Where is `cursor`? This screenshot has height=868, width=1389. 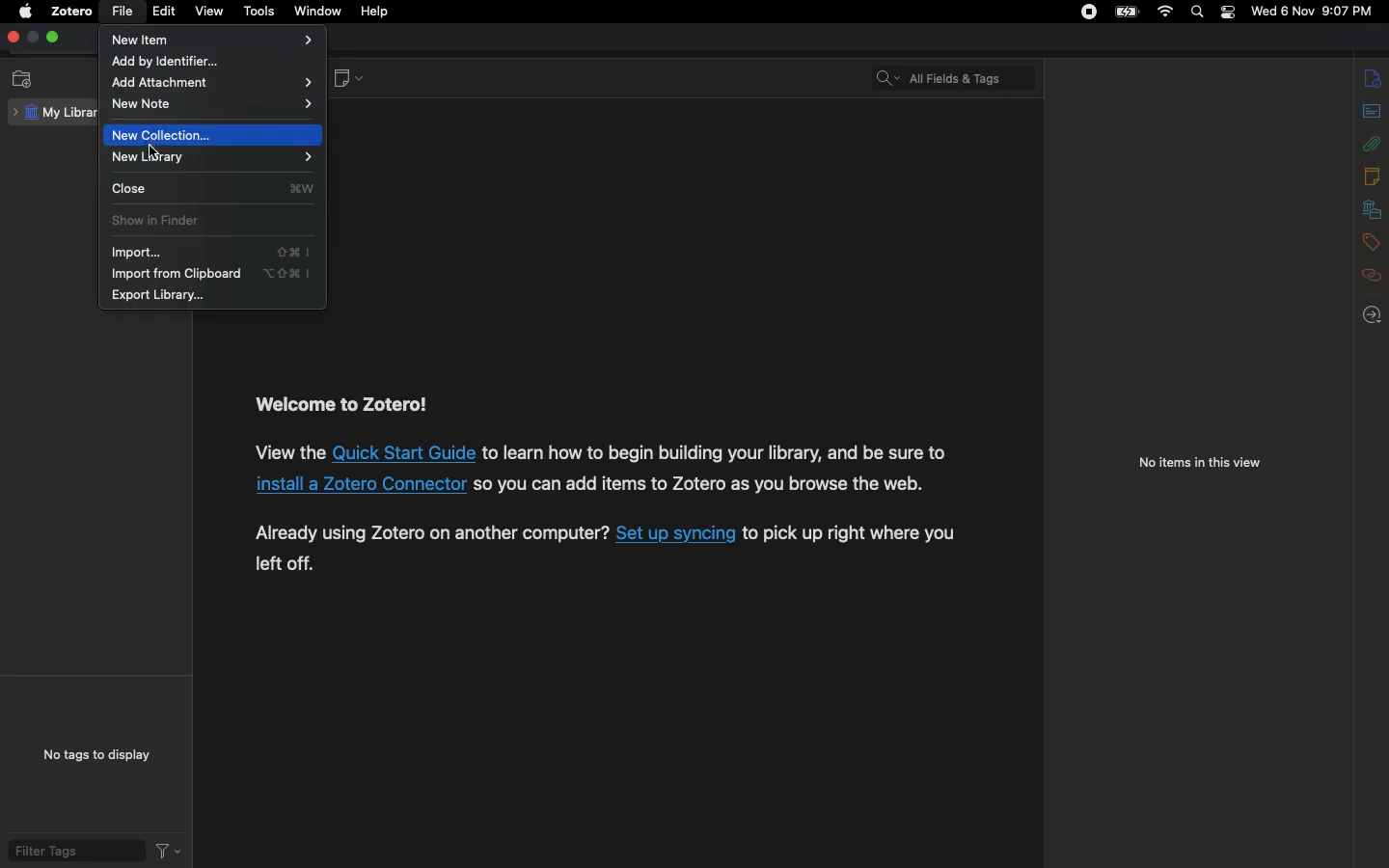 cursor is located at coordinates (154, 150).